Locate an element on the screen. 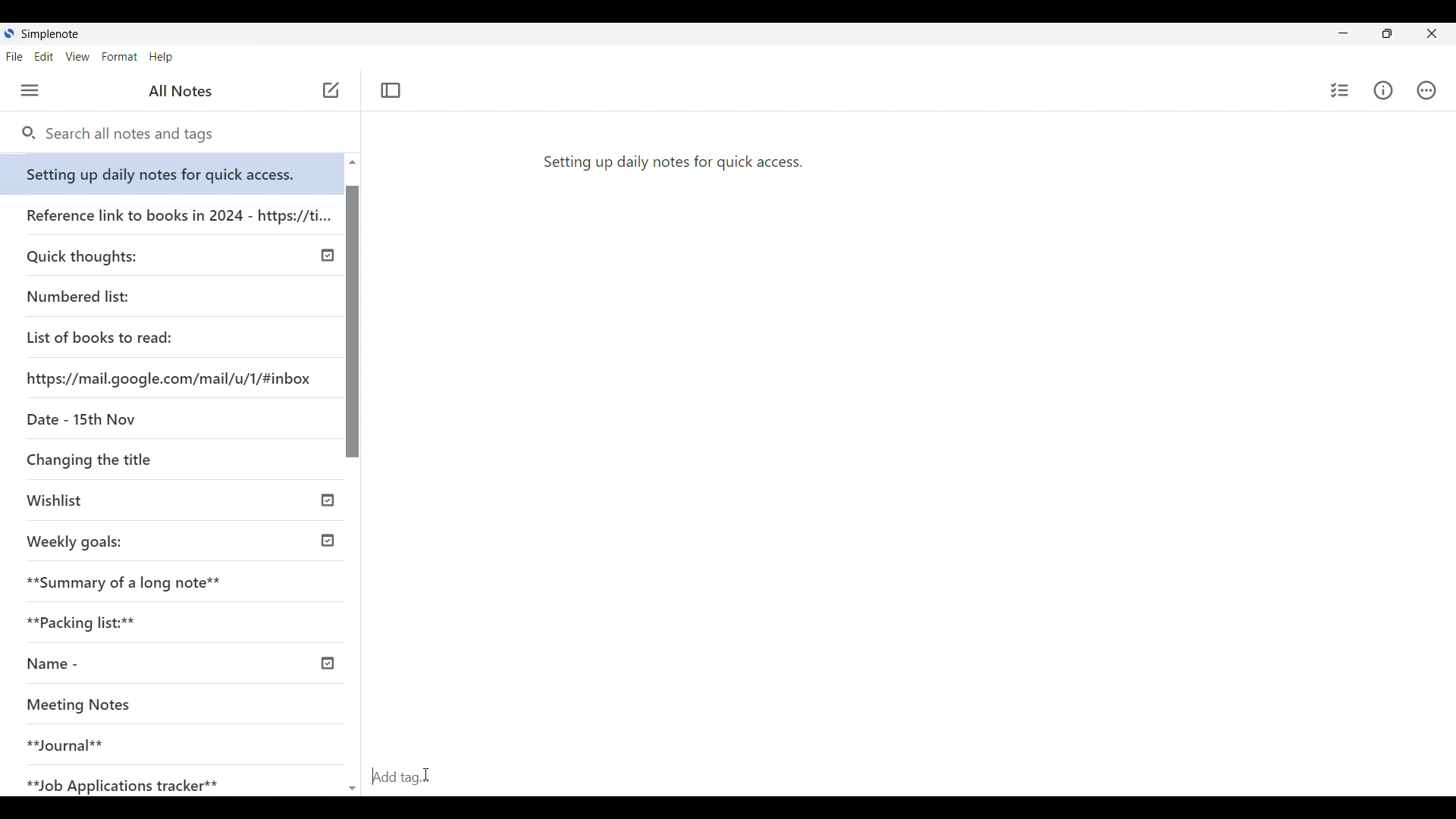  File menu is located at coordinates (14, 57).